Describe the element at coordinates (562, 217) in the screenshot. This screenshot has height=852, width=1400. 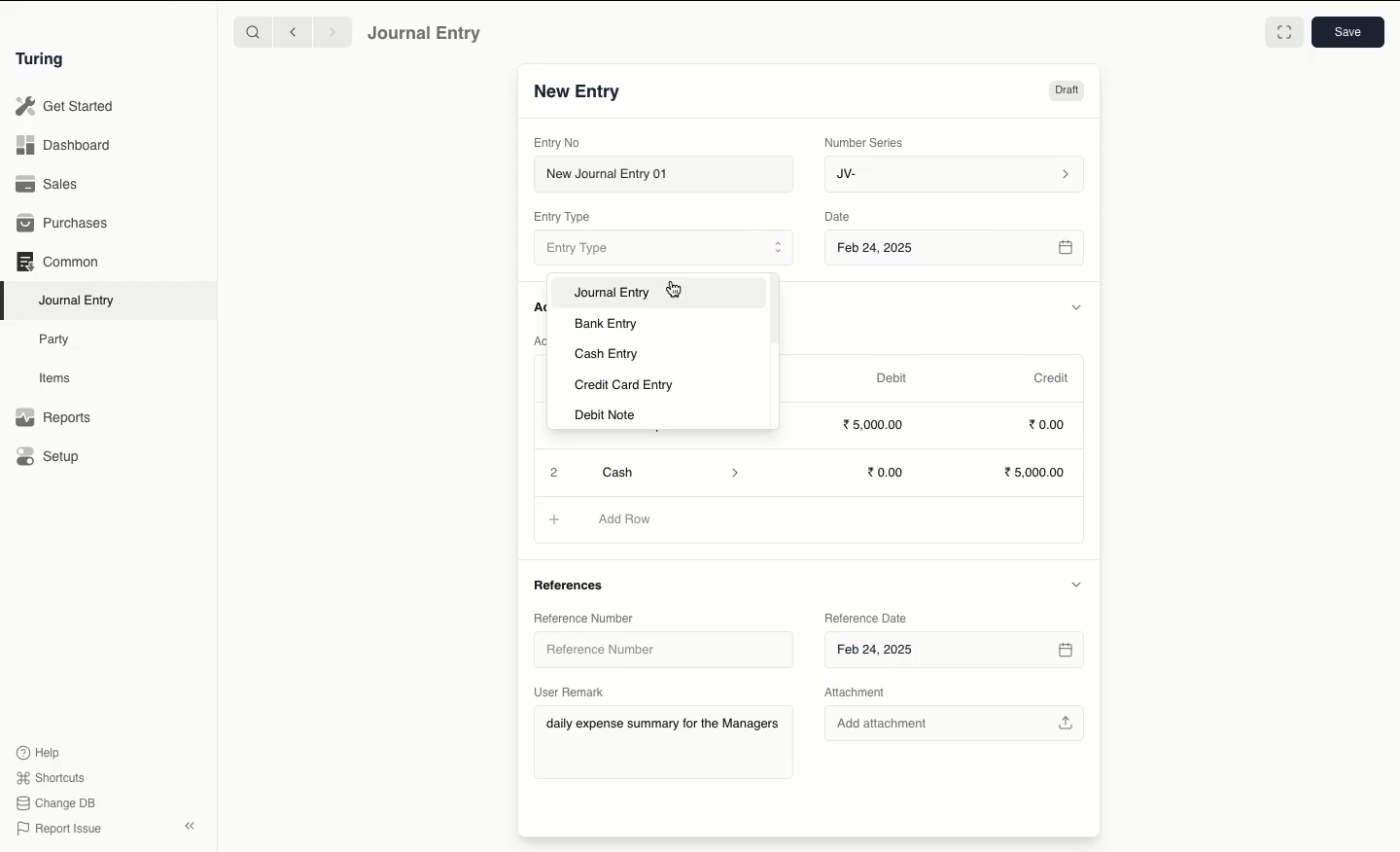
I see `Entry Type` at that location.